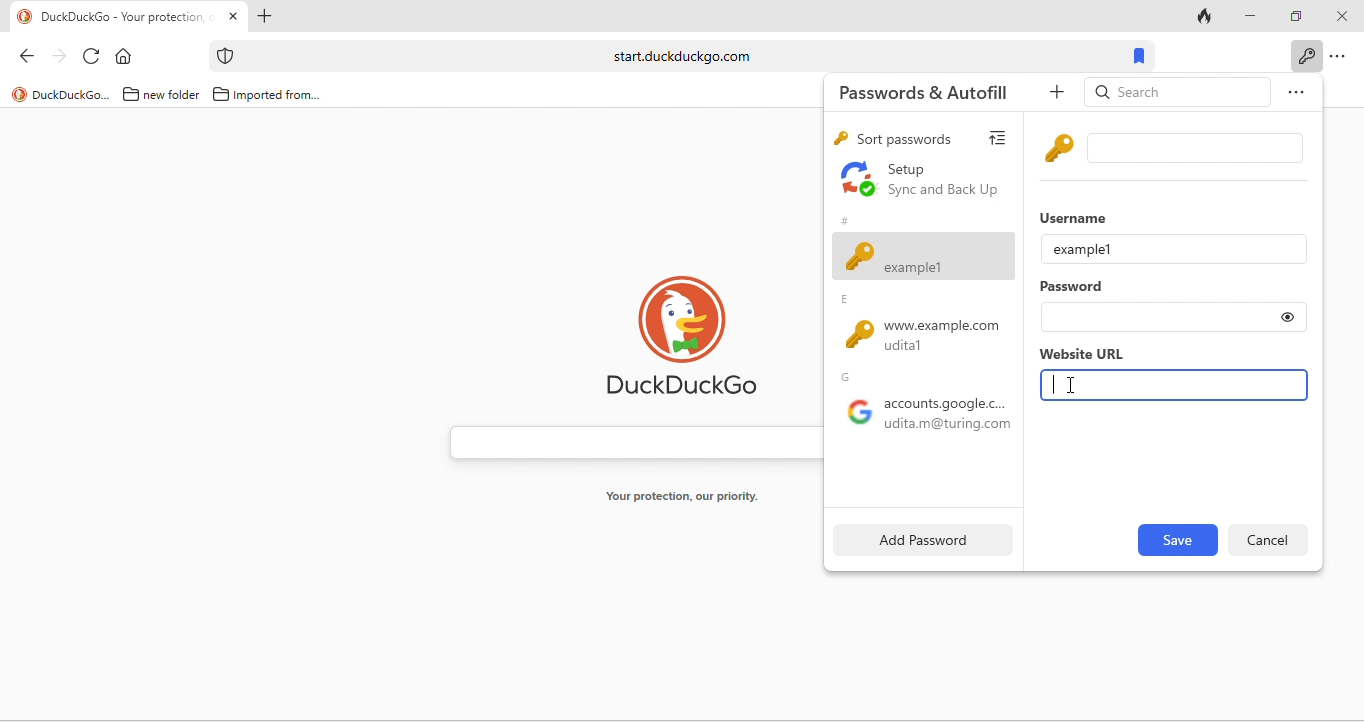  What do you see at coordinates (844, 218) in the screenshot?
I see `#` at bounding box center [844, 218].